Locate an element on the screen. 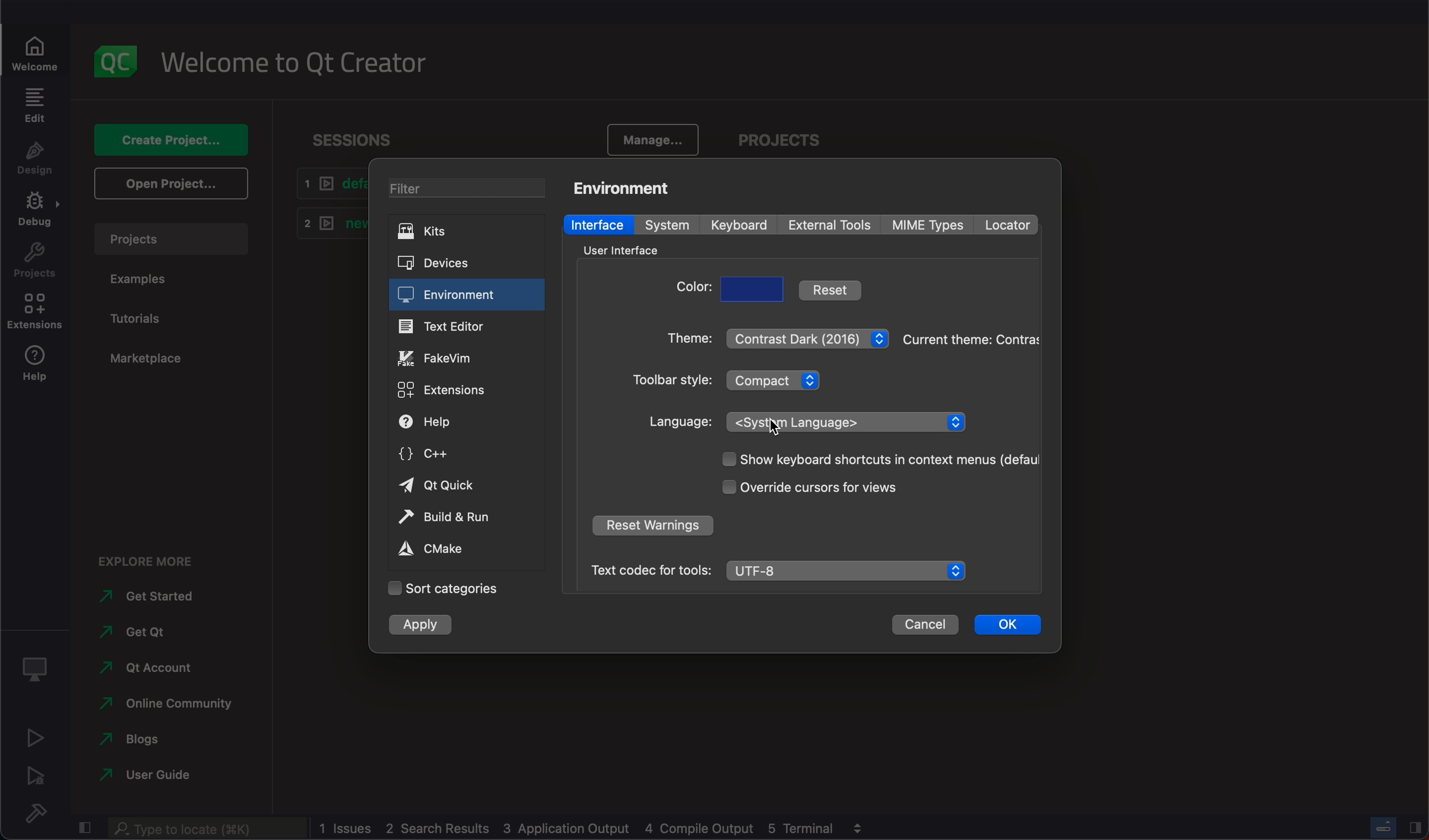 This screenshot has height=840, width=1429. show context menu is located at coordinates (880, 460).